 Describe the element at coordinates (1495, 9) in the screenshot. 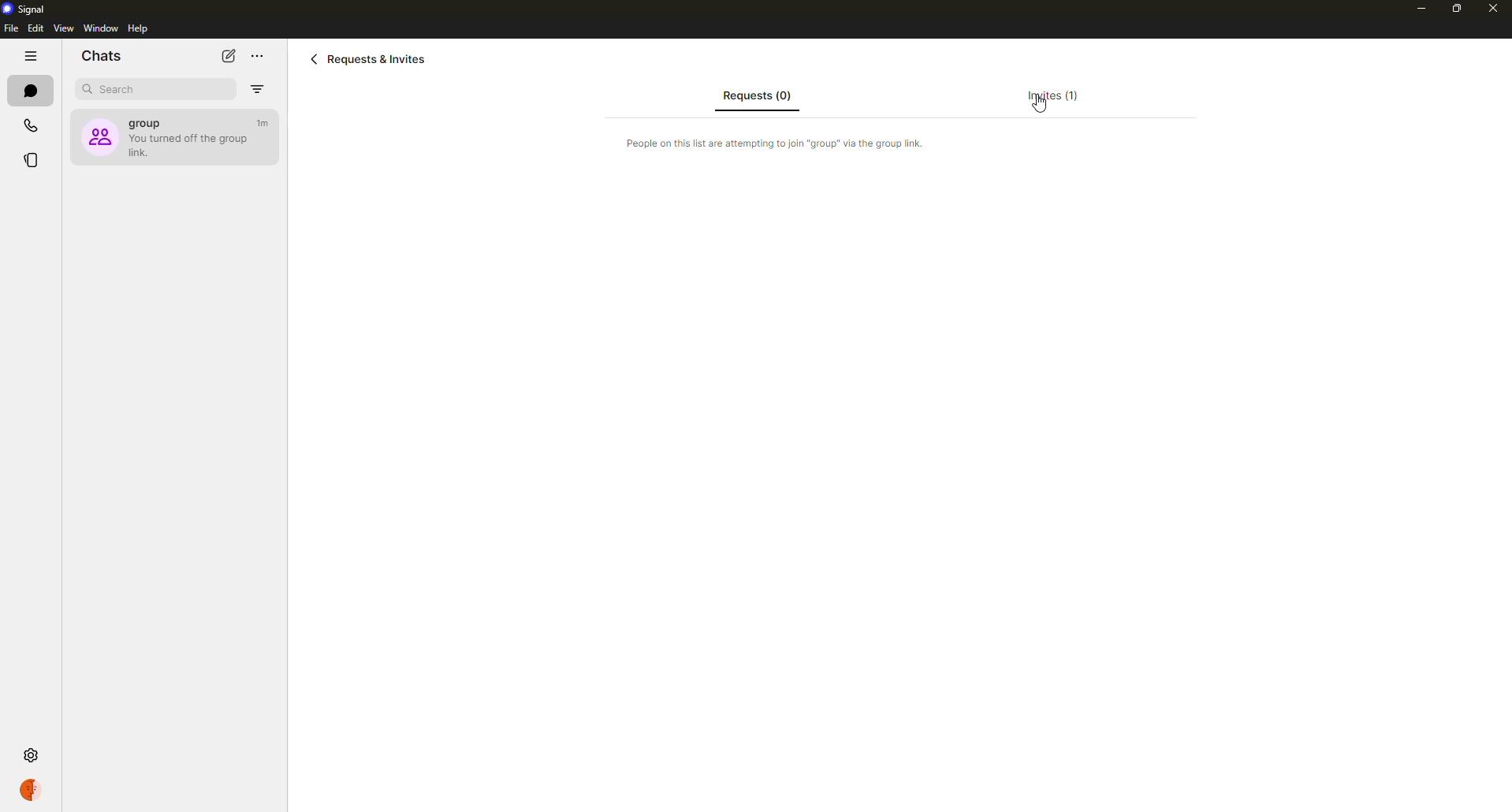

I see `close` at that location.